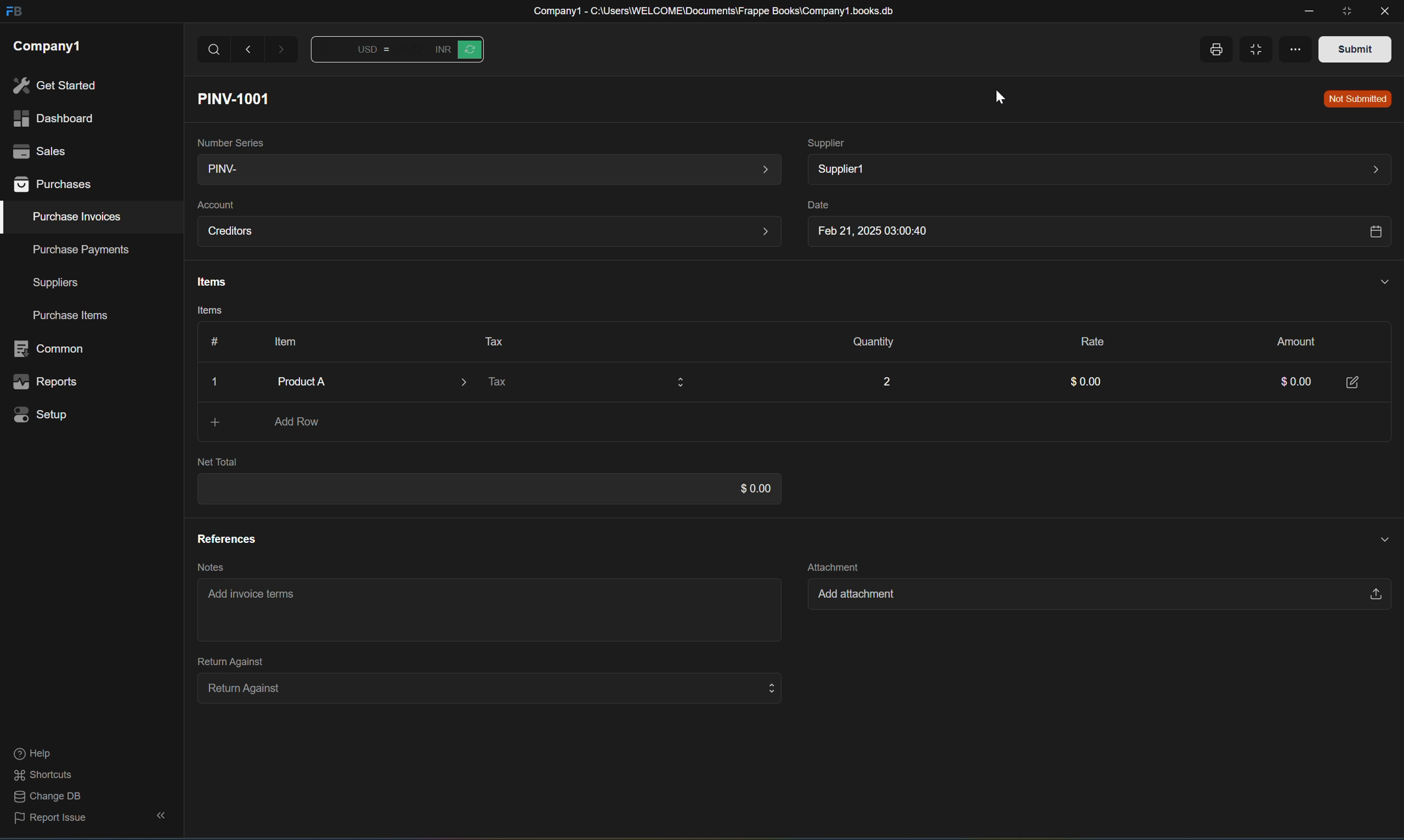 The image size is (1404, 840). What do you see at coordinates (256, 598) in the screenshot?
I see `Add invoice terms` at bounding box center [256, 598].